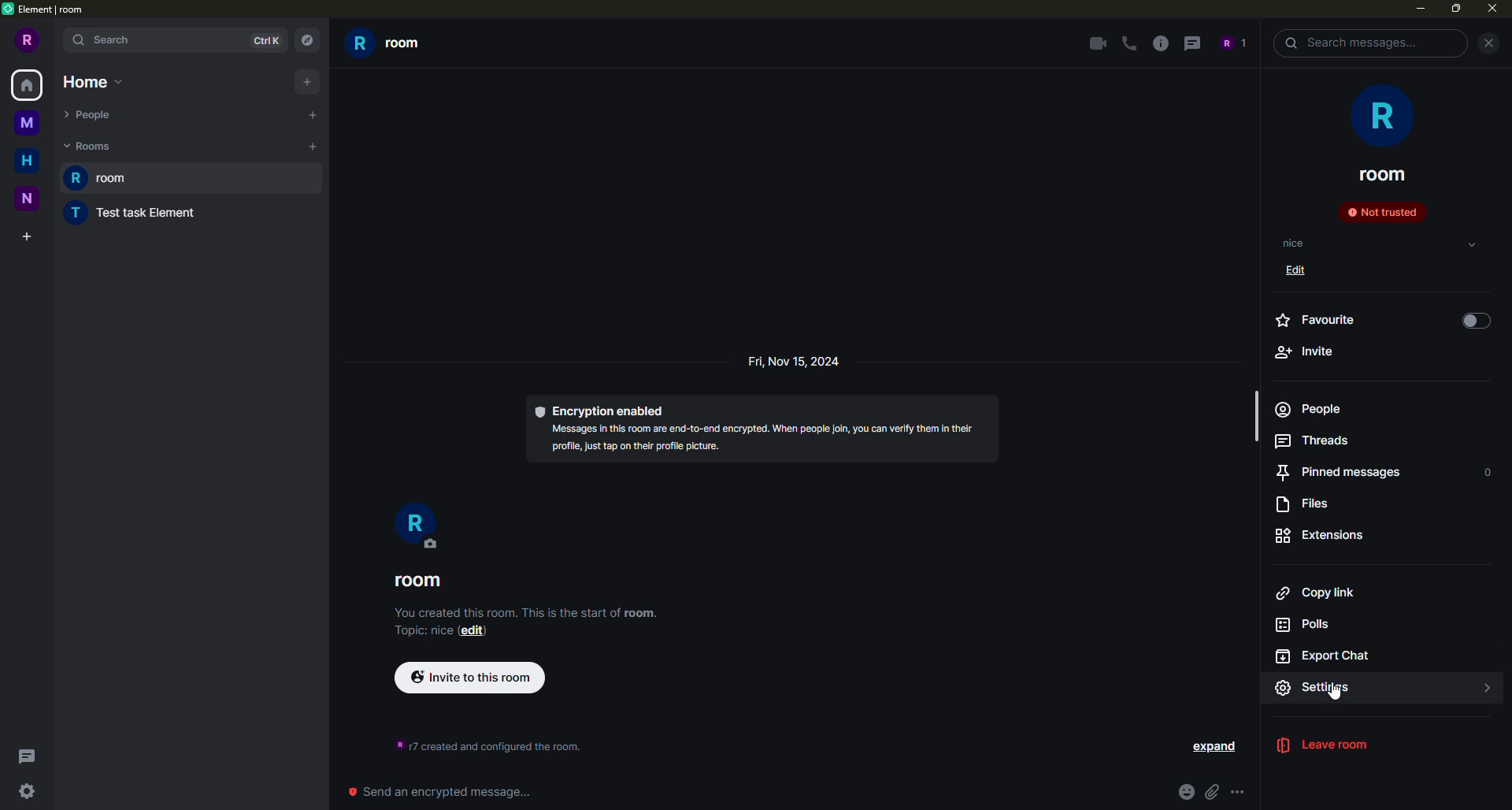 The height and width of the screenshot is (810, 1512). Describe the element at coordinates (1383, 174) in the screenshot. I see `room` at that location.